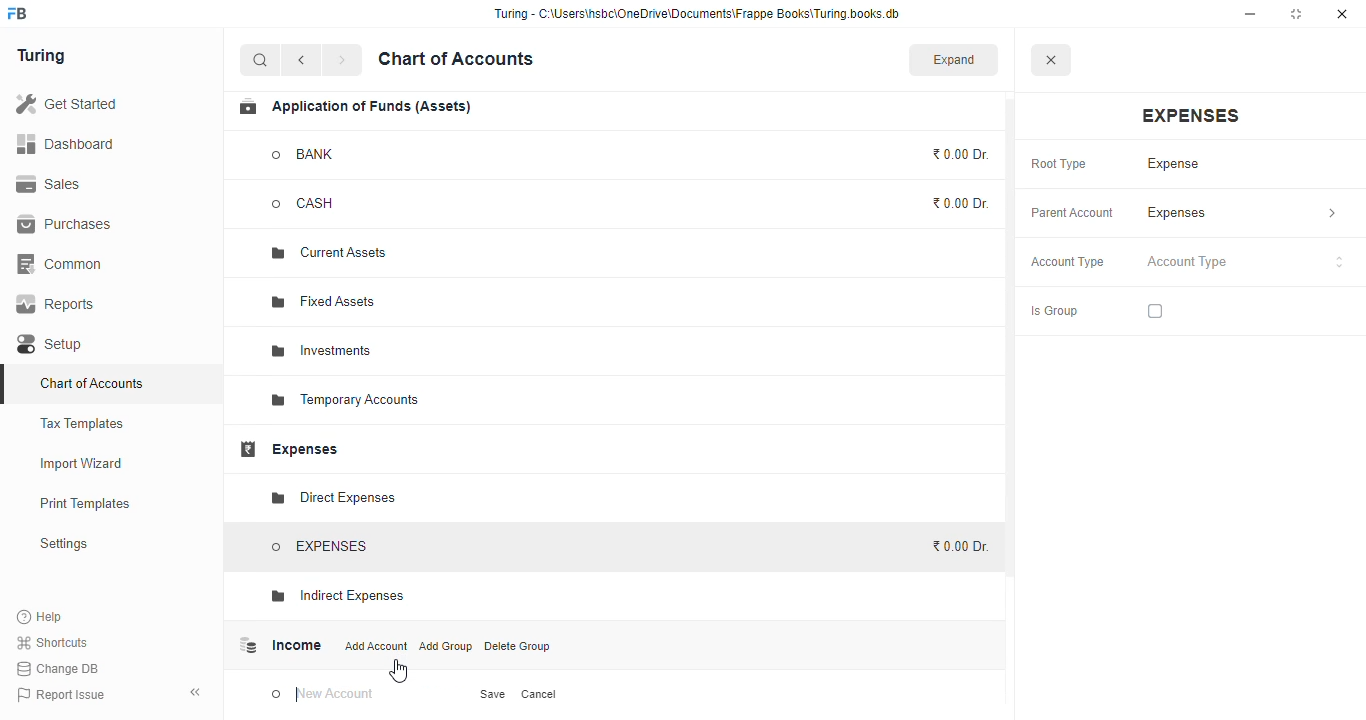  Describe the element at coordinates (1073, 214) in the screenshot. I see `parent account` at that location.